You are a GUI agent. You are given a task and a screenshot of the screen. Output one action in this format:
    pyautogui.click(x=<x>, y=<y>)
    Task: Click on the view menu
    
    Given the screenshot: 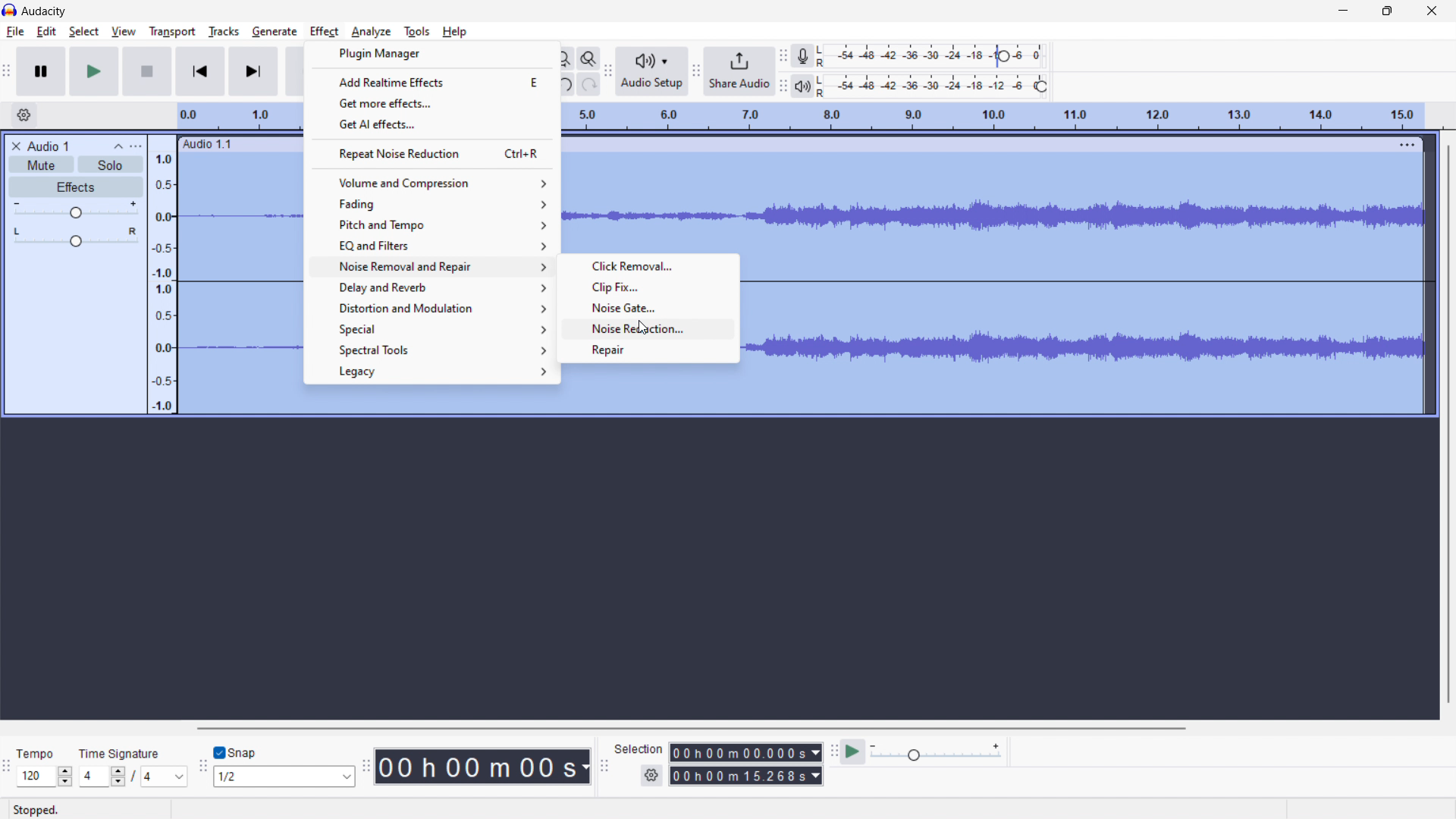 What is the action you would take?
    pyautogui.click(x=137, y=146)
    